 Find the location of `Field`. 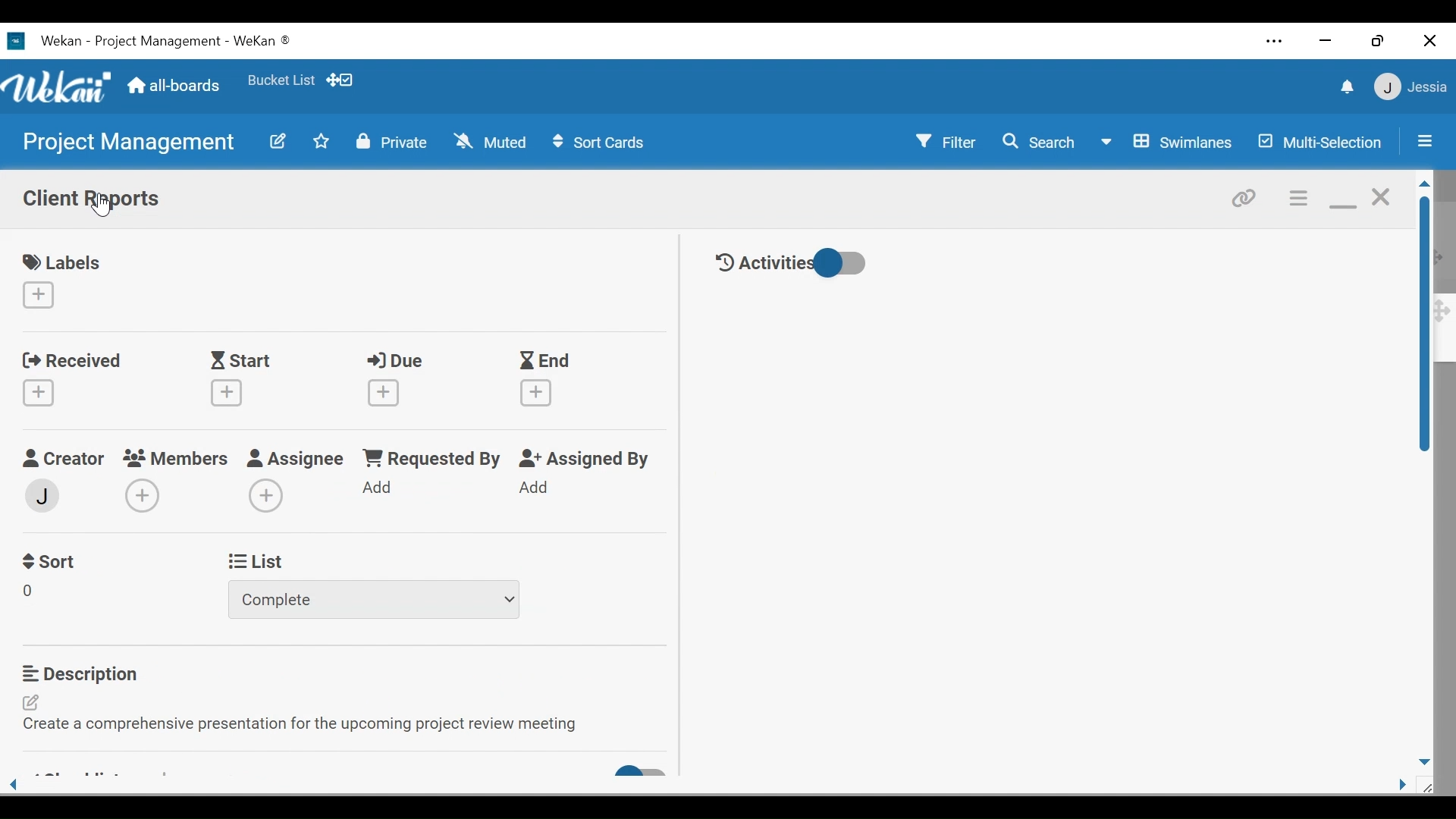

Field is located at coordinates (29, 592).